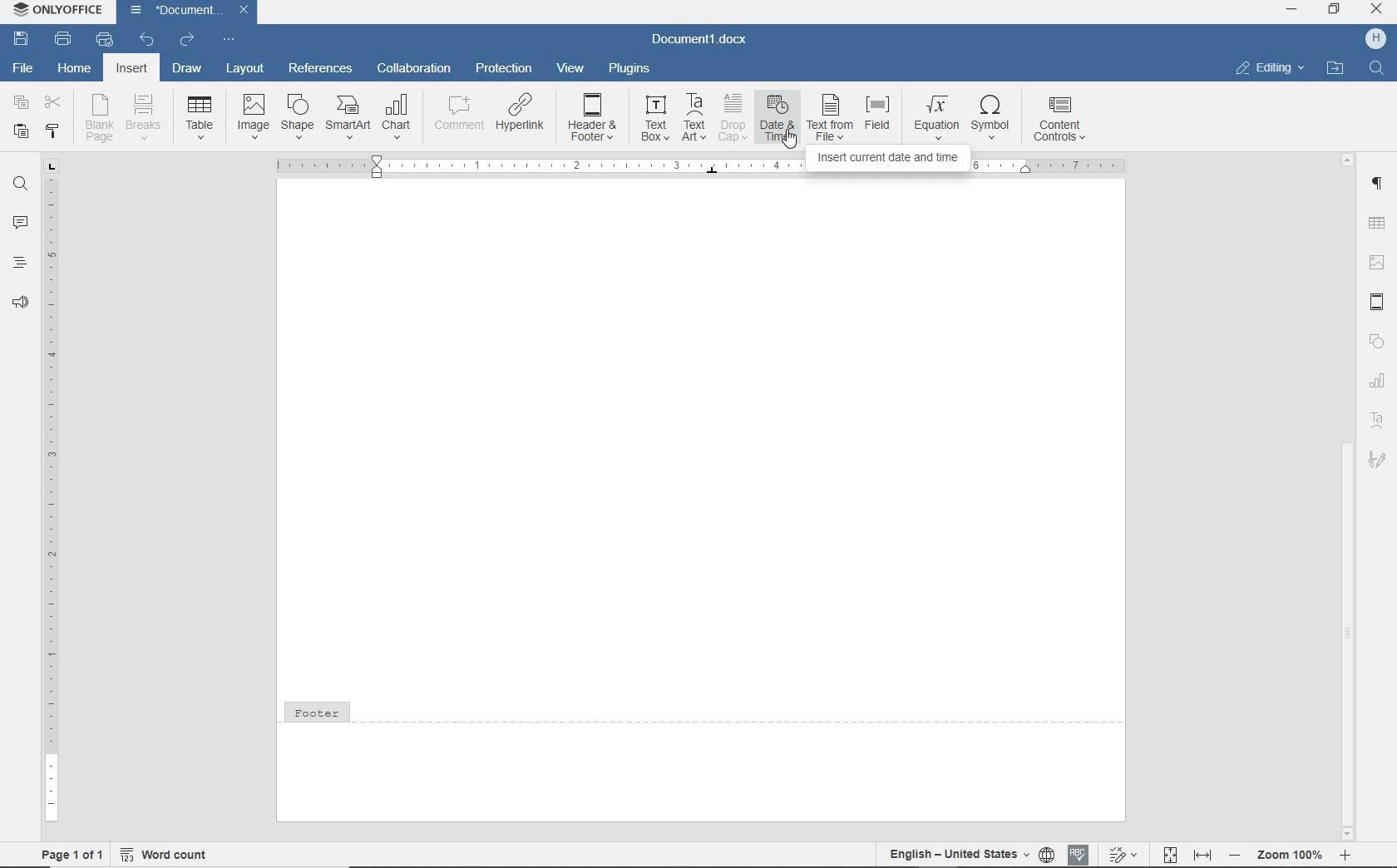 The image size is (1397, 868). I want to click on feedback & support, so click(19, 301).